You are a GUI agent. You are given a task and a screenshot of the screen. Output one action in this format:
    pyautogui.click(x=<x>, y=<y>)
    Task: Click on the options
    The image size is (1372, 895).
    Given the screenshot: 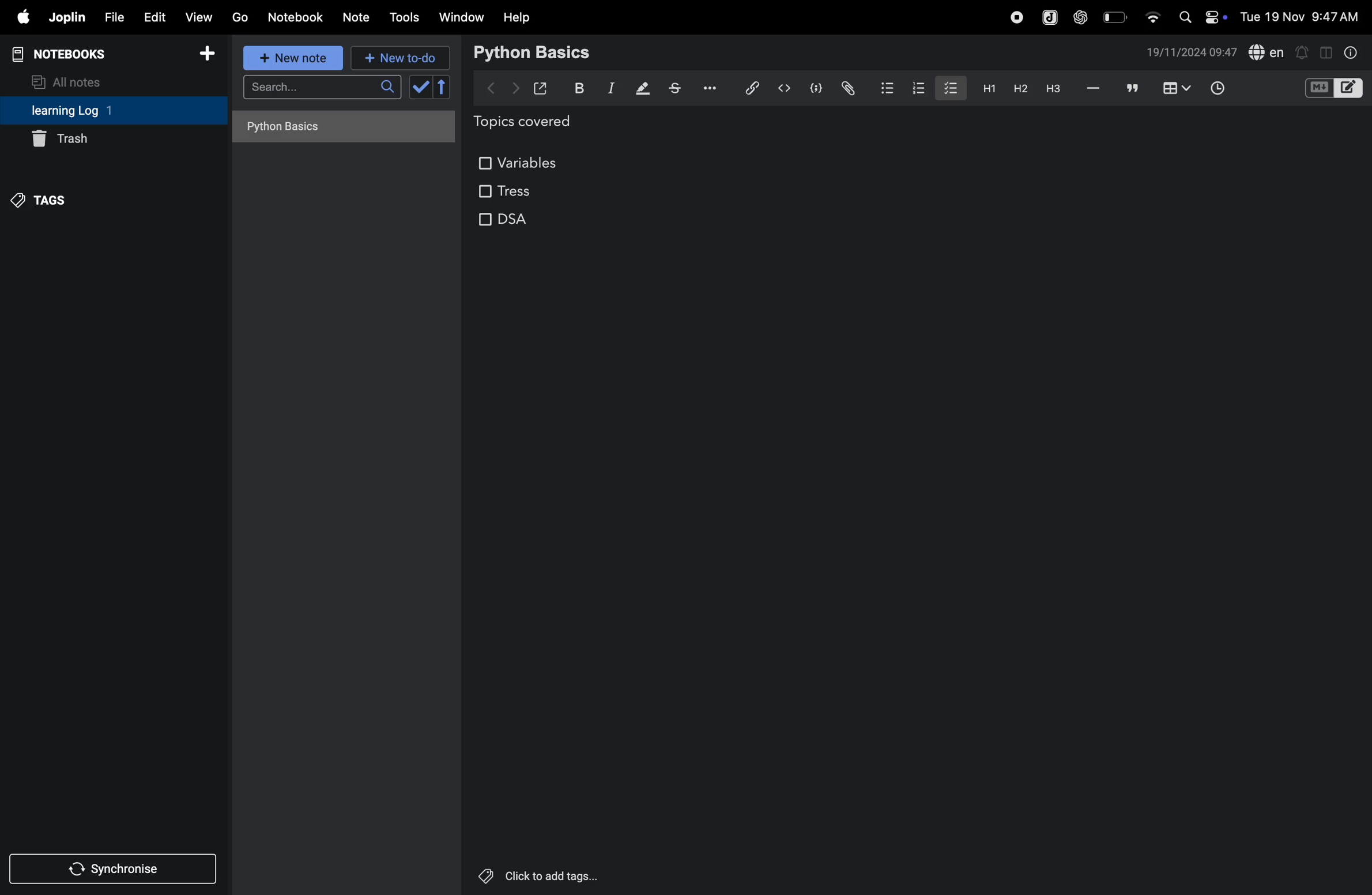 What is the action you would take?
    pyautogui.click(x=707, y=87)
    